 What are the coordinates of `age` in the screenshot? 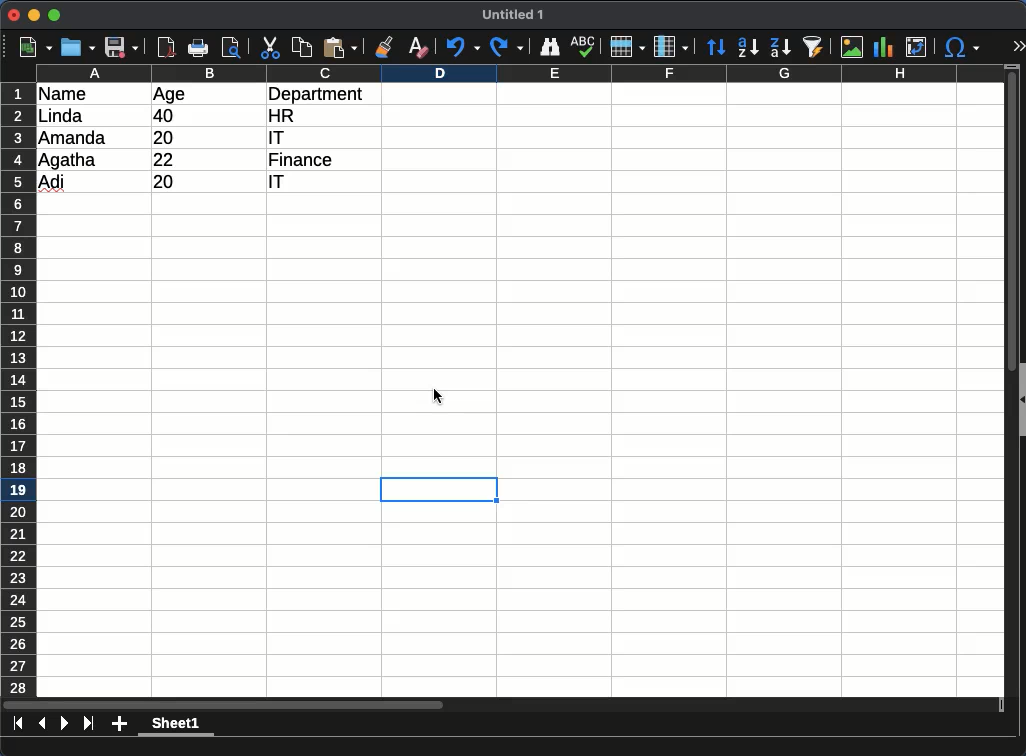 It's located at (169, 95).